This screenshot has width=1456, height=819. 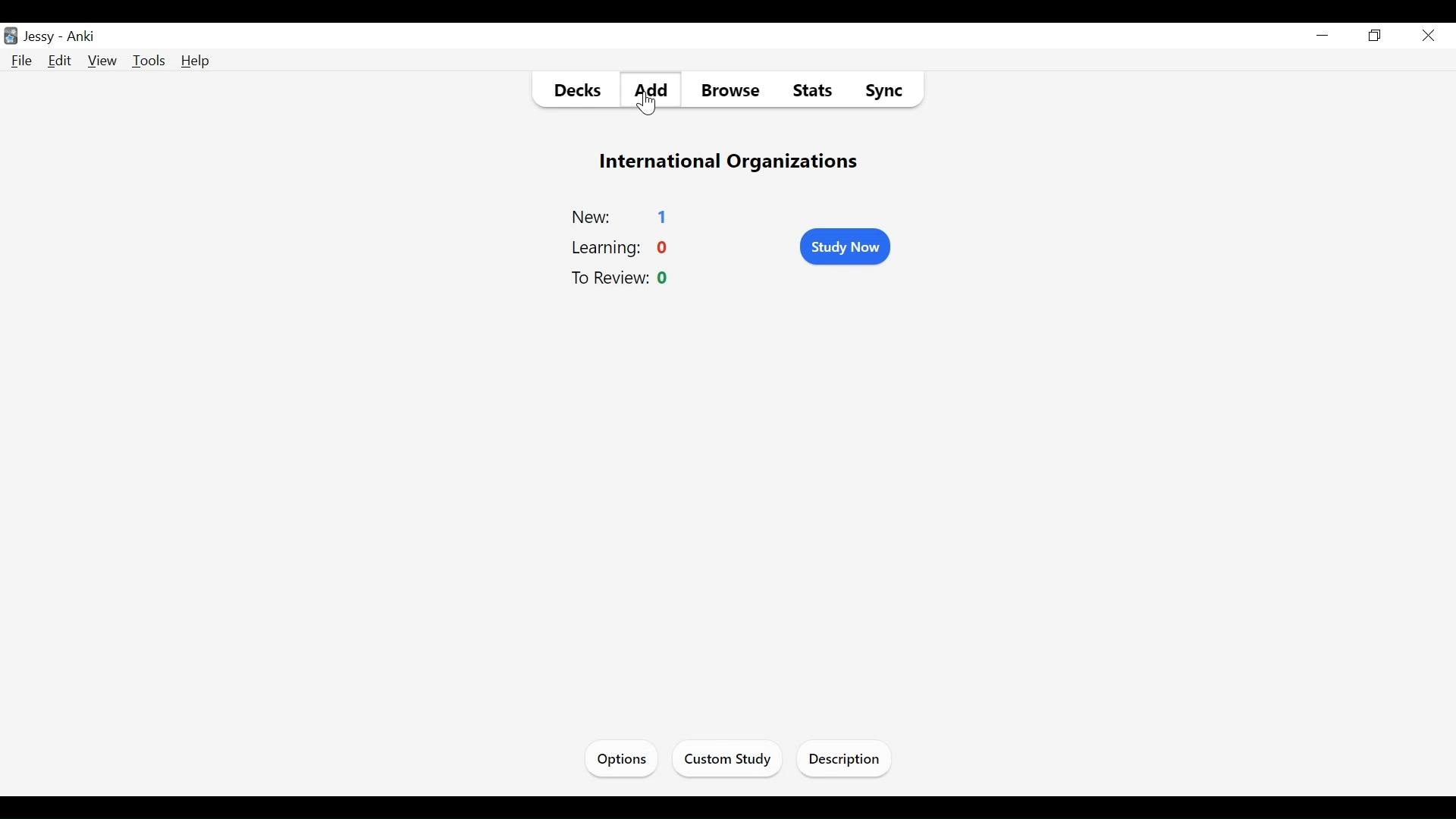 I want to click on Study Now, so click(x=846, y=246).